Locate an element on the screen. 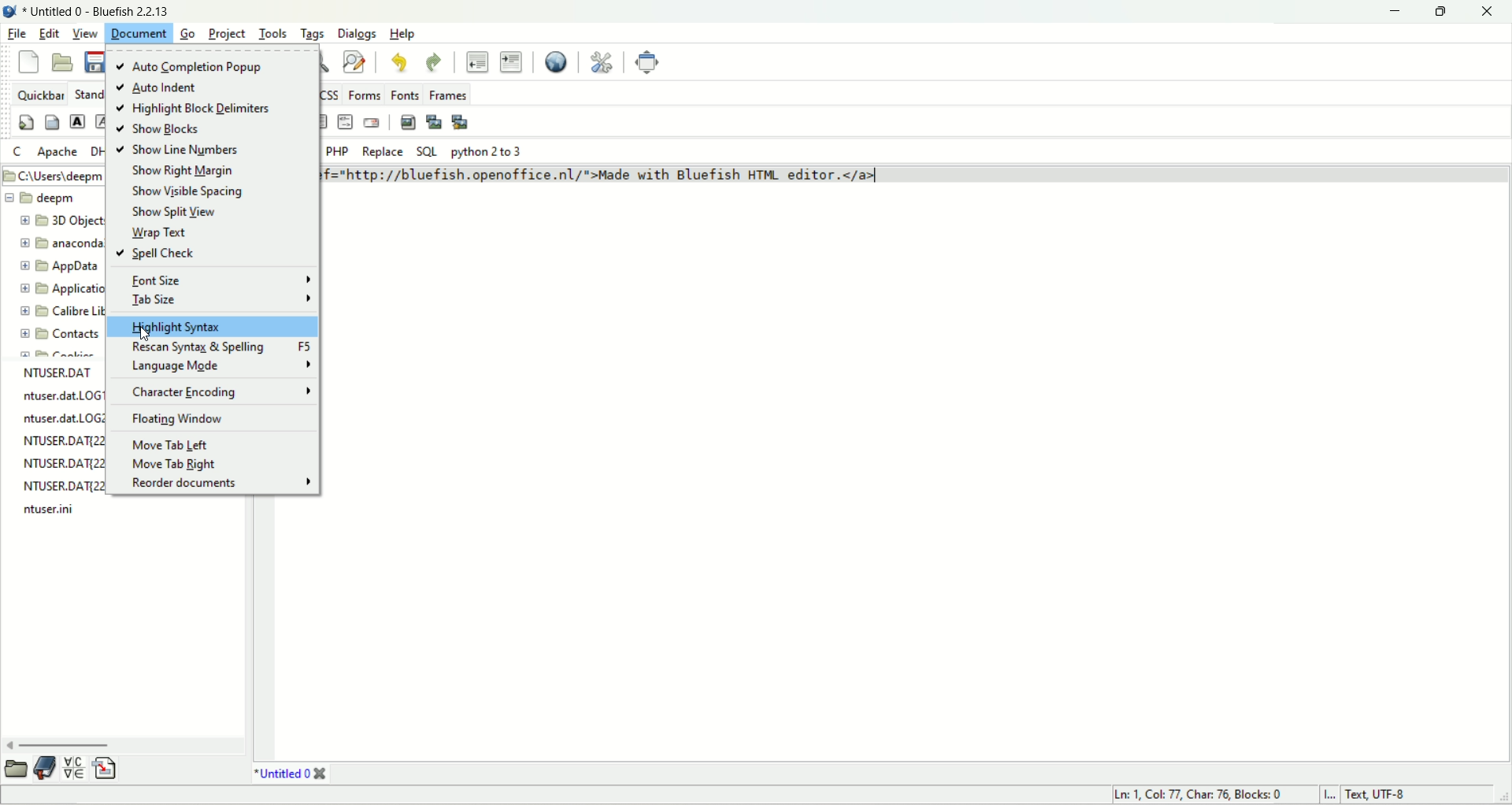  anaconda is located at coordinates (63, 242).